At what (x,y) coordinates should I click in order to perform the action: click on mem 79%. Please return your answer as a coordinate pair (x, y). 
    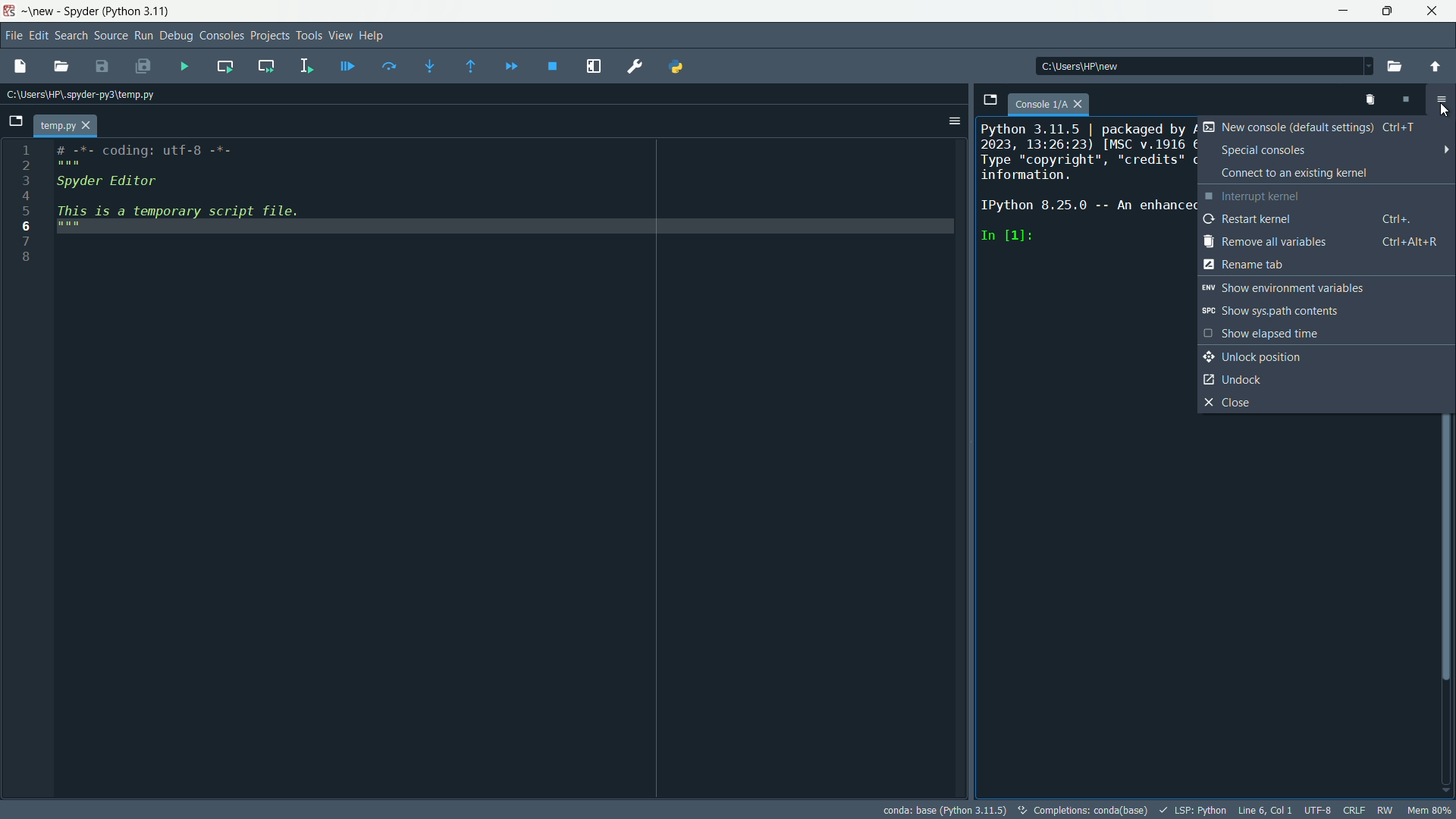
    Looking at the image, I should click on (1426, 809).